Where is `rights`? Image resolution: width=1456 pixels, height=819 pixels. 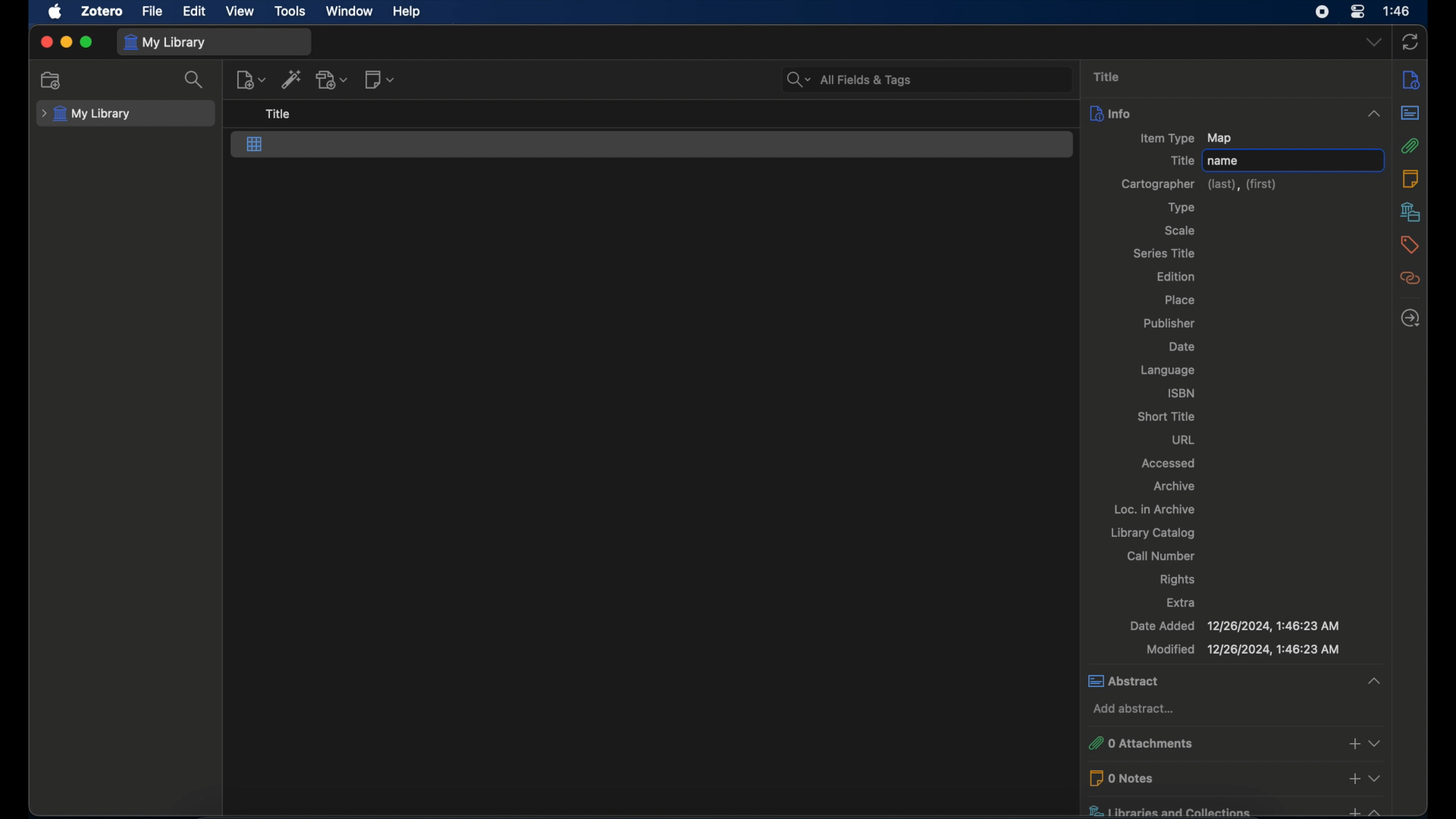 rights is located at coordinates (1178, 579).